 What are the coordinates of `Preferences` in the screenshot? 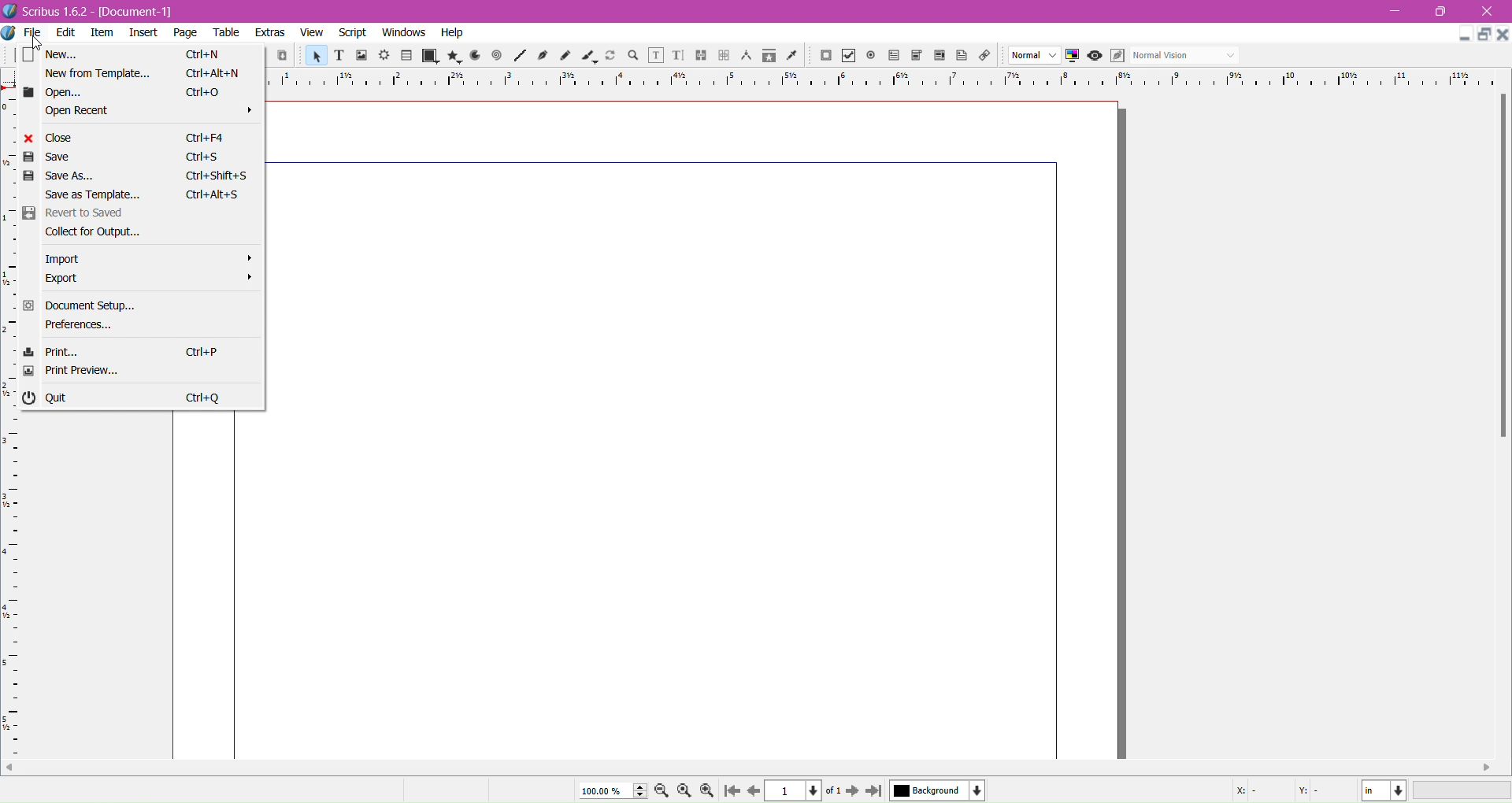 It's located at (99, 326).